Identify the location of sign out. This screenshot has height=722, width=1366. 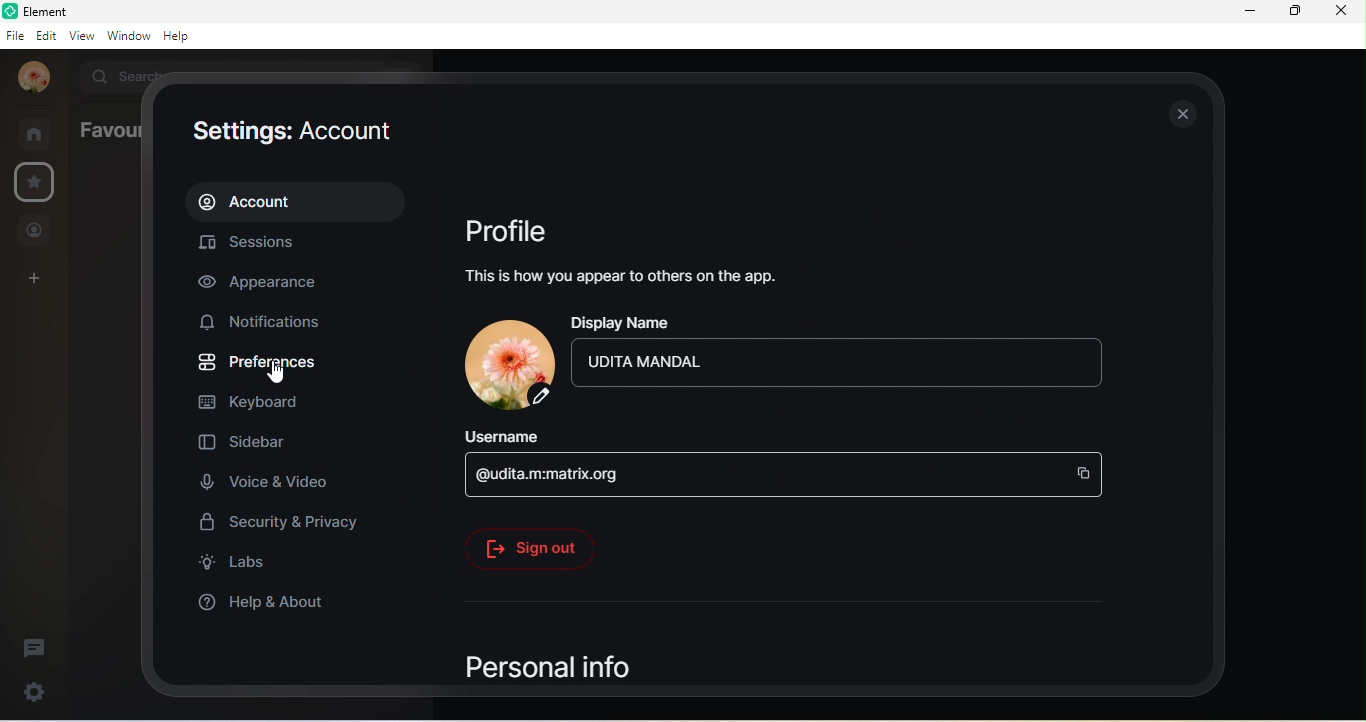
(530, 549).